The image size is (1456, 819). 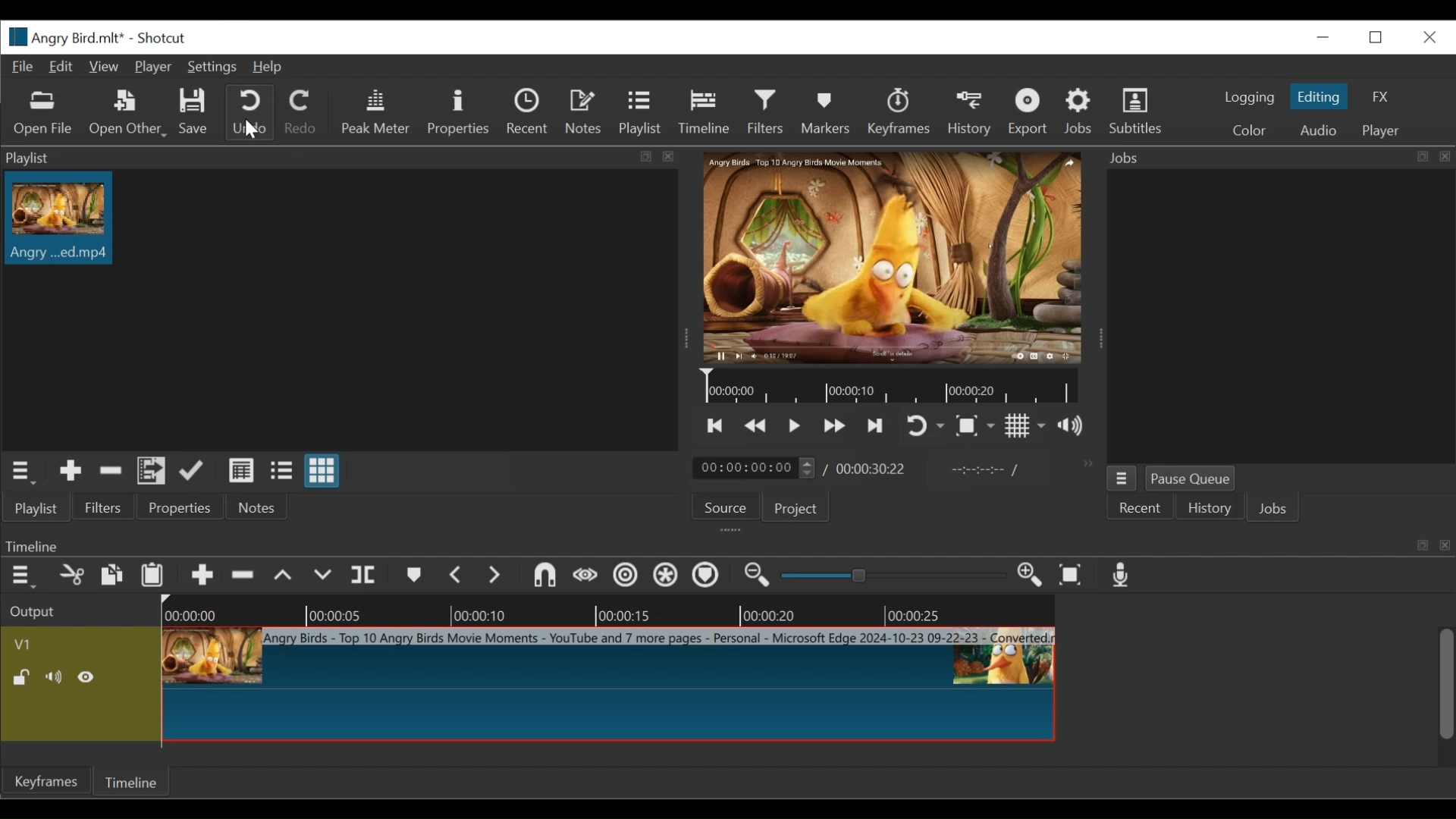 I want to click on current duration, so click(x=753, y=468).